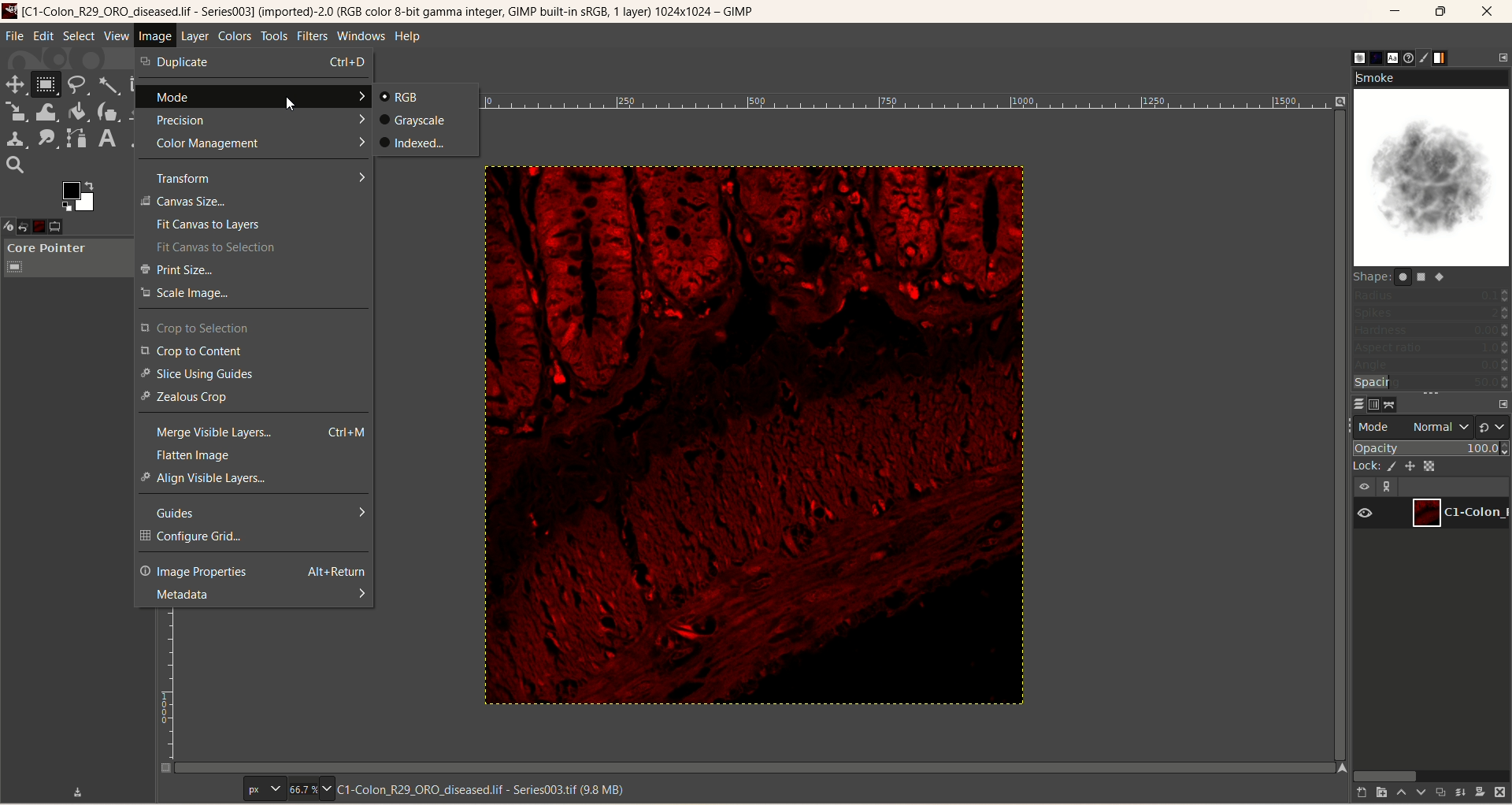  What do you see at coordinates (1396, 10) in the screenshot?
I see `minimize` at bounding box center [1396, 10].